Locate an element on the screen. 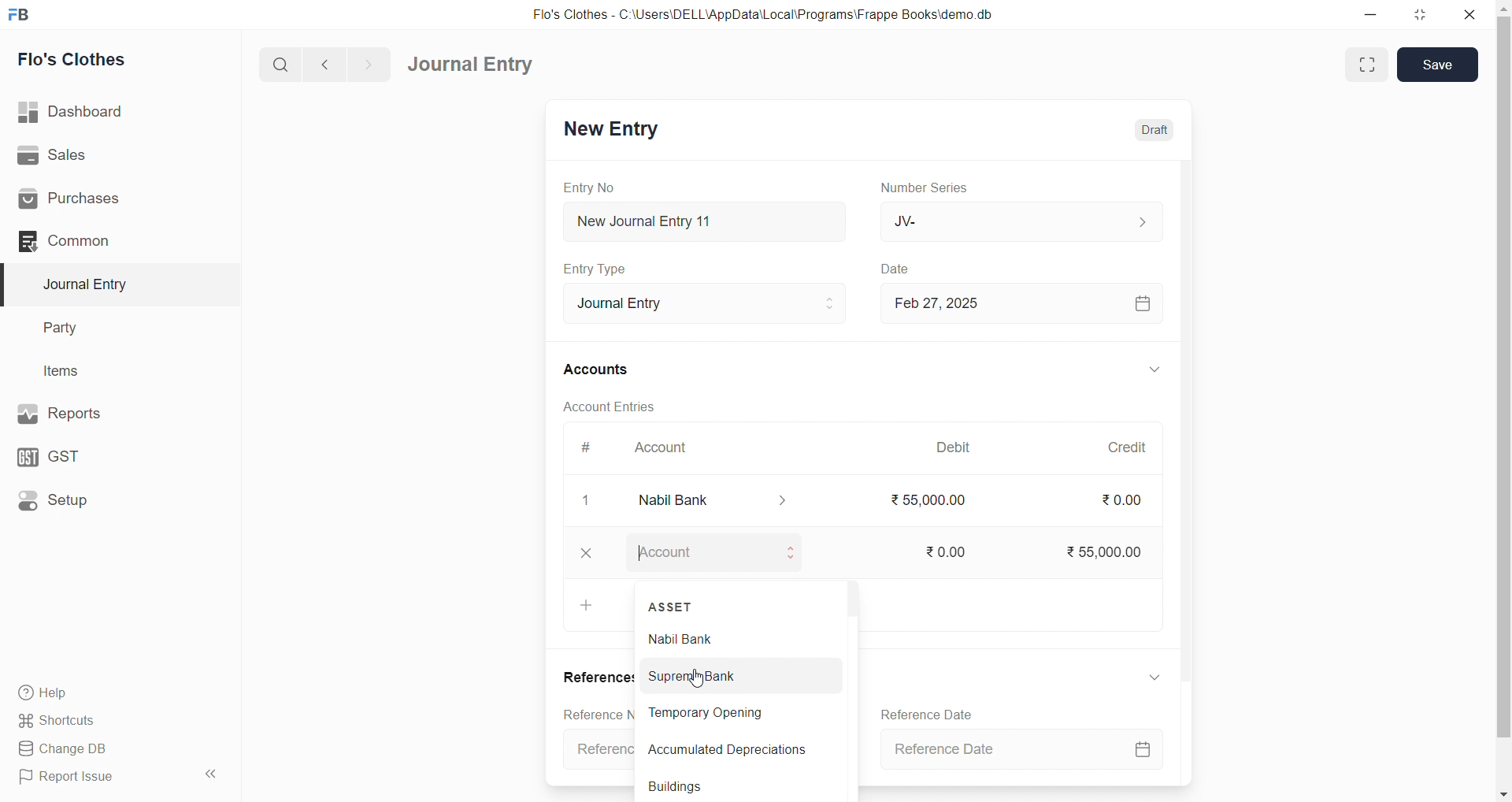 This screenshot has width=1512, height=802. collapse sidebar is located at coordinates (213, 774).